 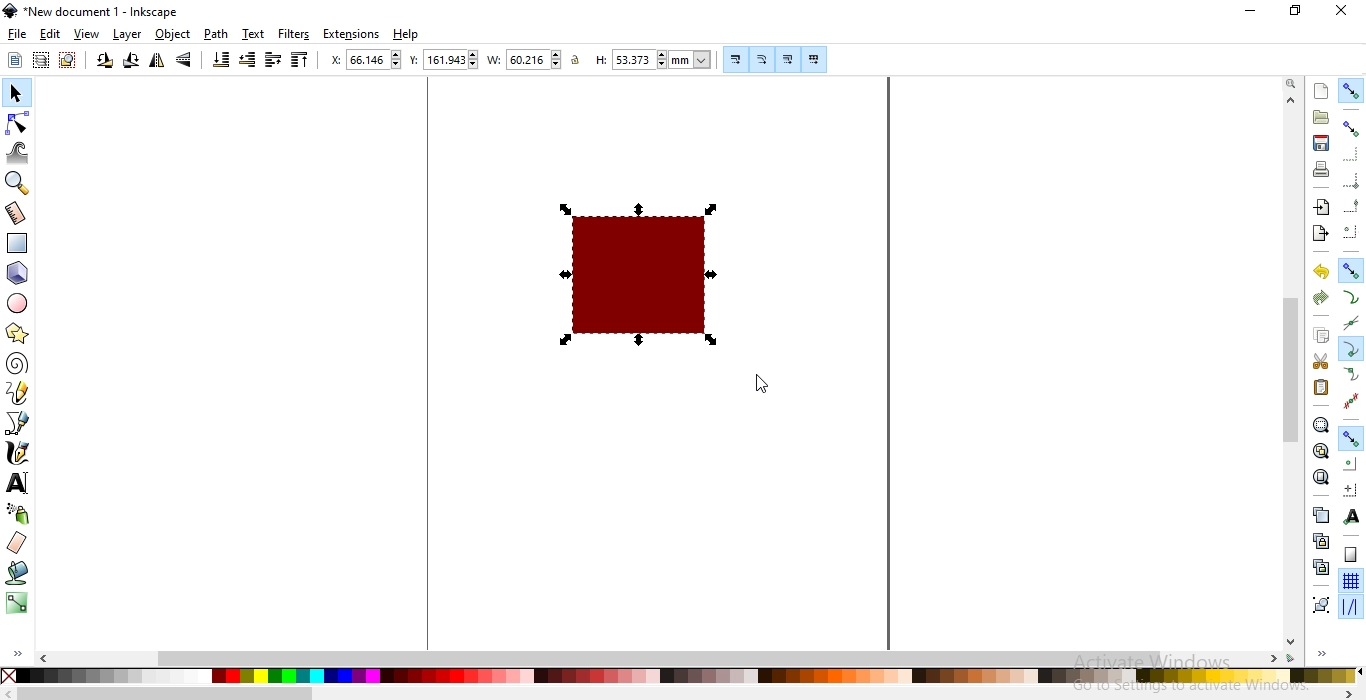 What do you see at coordinates (1350, 555) in the screenshot?
I see `snap to page border` at bounding box center [1350, 555].